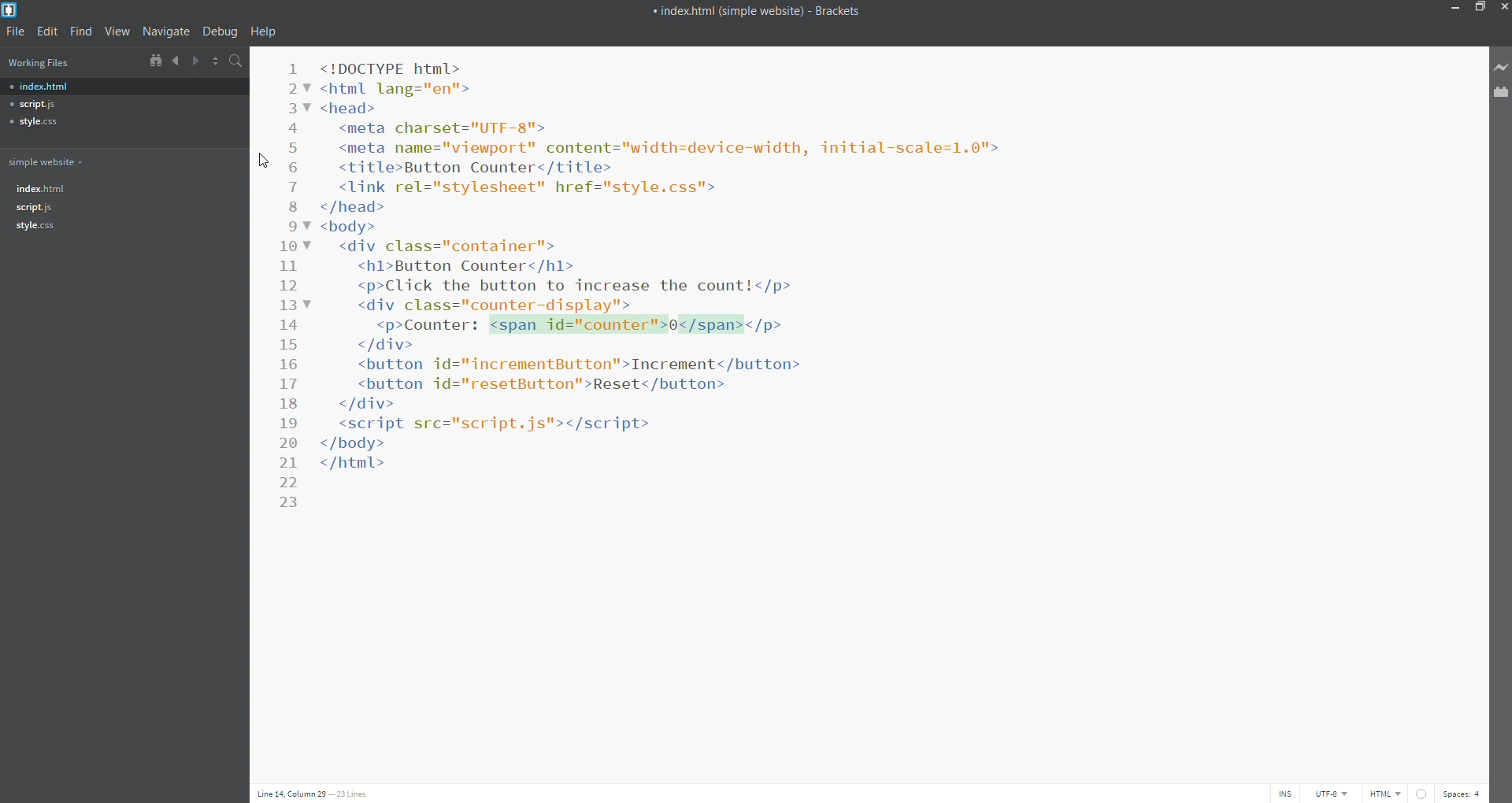 This screenshot has width=1512, height=803. What do you see at coordinates (101, 105) in the screenshot?
I see `script.js` at bounding box center [101, 105].